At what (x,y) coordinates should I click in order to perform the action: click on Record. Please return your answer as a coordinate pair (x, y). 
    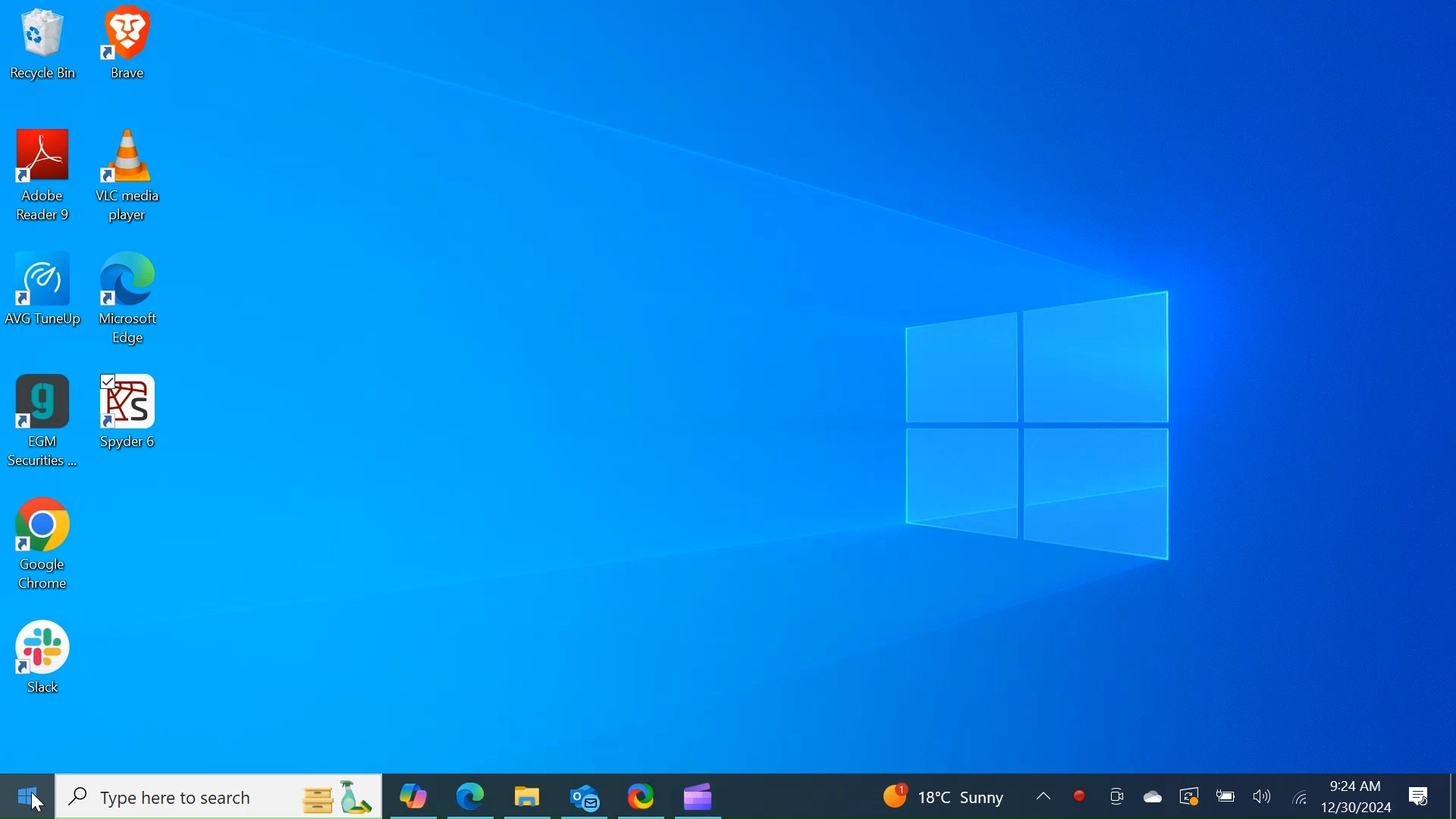
    Looking at the image, I should click on (1080, 794).